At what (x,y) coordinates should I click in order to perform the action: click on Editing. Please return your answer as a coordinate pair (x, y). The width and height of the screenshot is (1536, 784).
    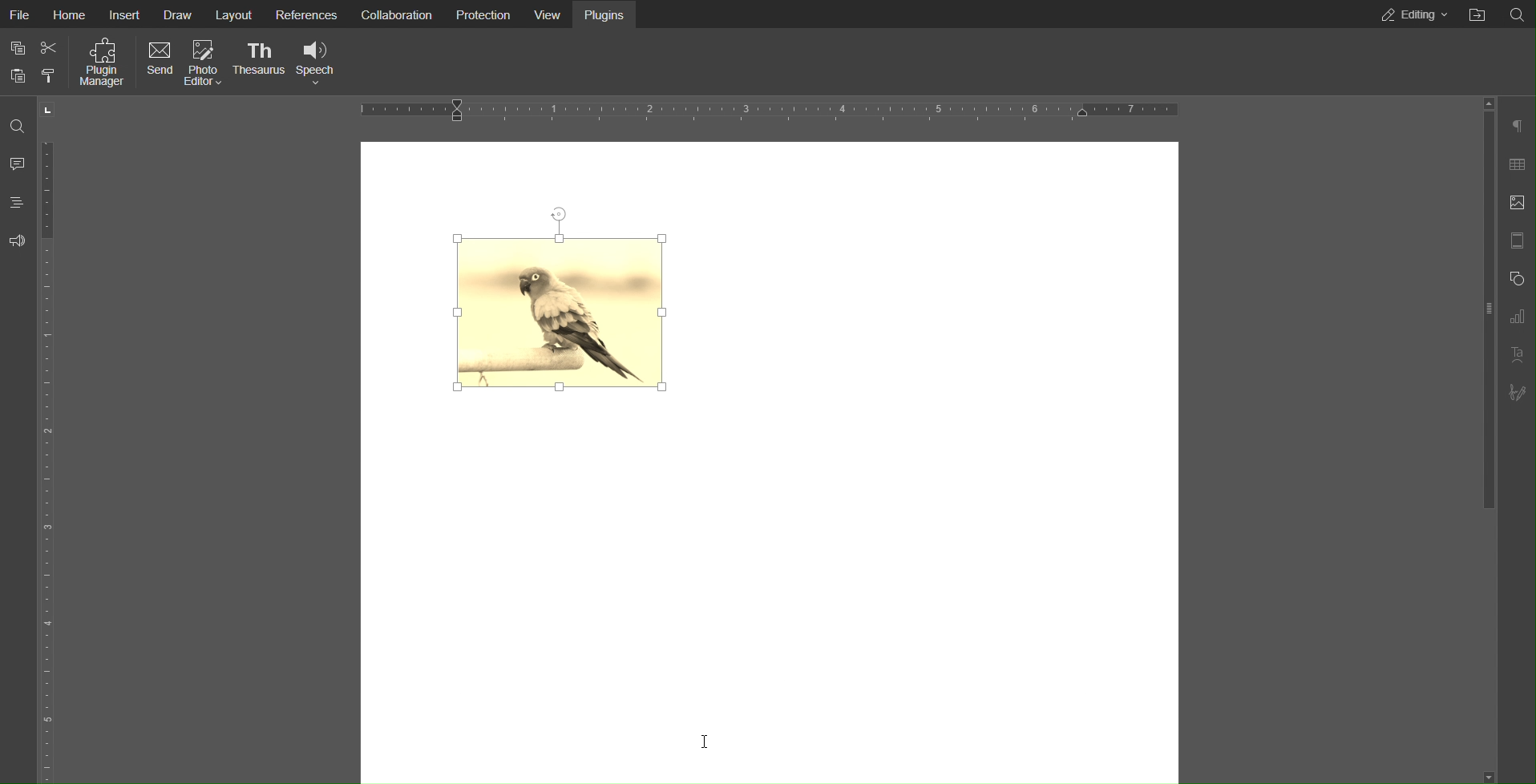
    Looking at the image, I should click on (1411, 14).